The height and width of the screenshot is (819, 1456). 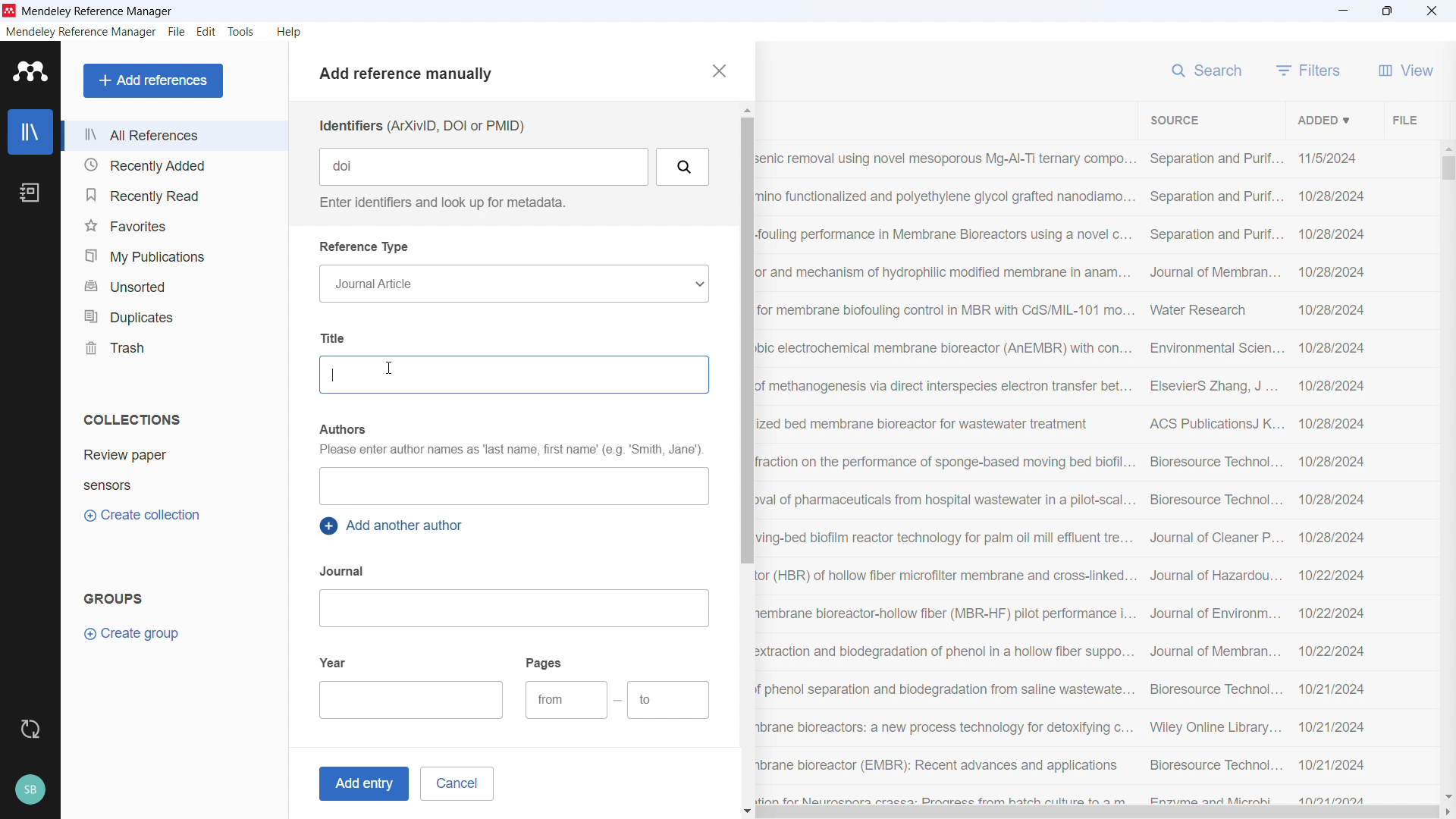 I want to click on Scroll right , so click(x=1447, y=813).